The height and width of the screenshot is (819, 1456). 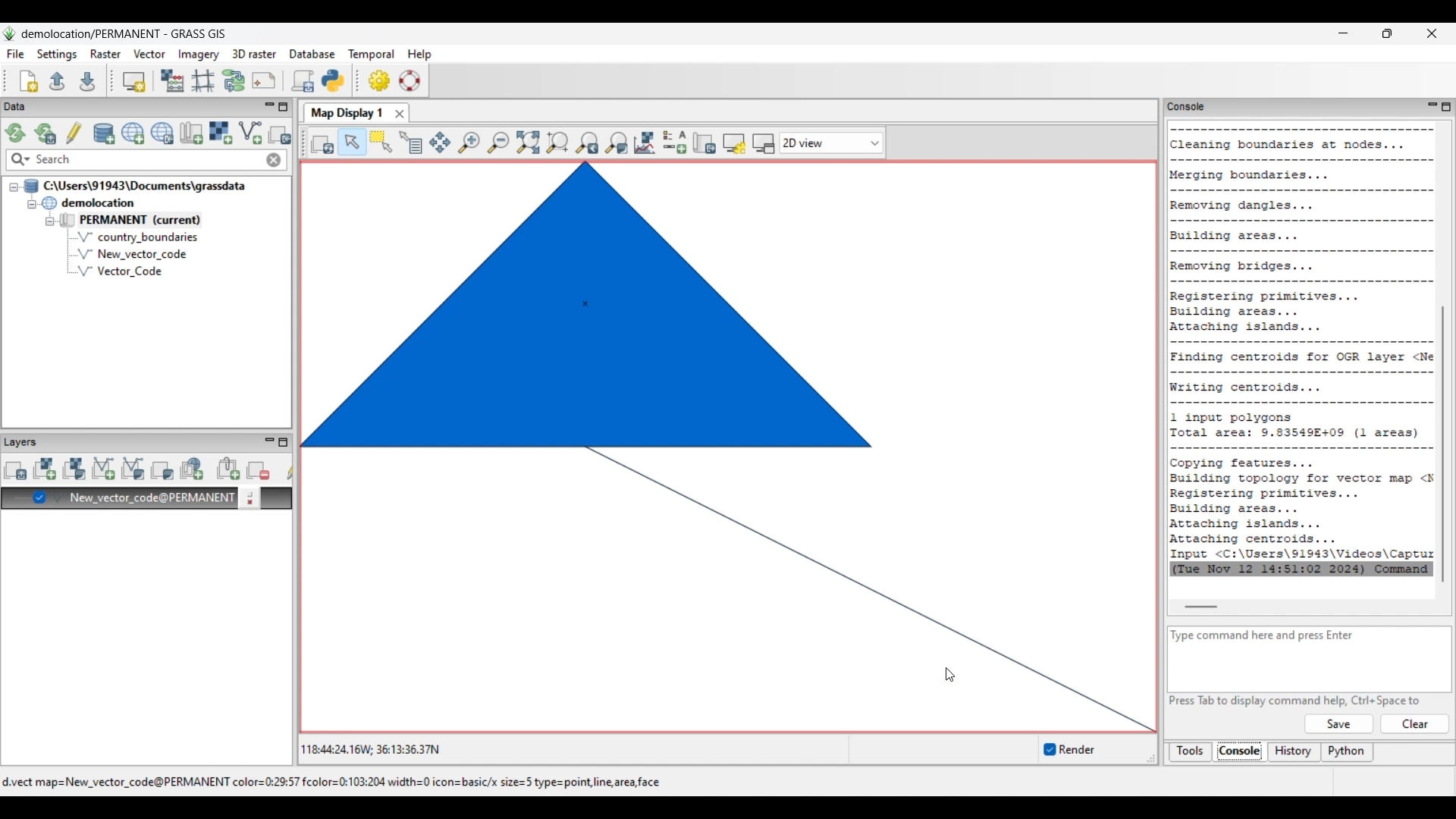 What do you see at coordinates (1348, 753) in the screenshot?
I see `Python` at bounding box center [1348, 753].